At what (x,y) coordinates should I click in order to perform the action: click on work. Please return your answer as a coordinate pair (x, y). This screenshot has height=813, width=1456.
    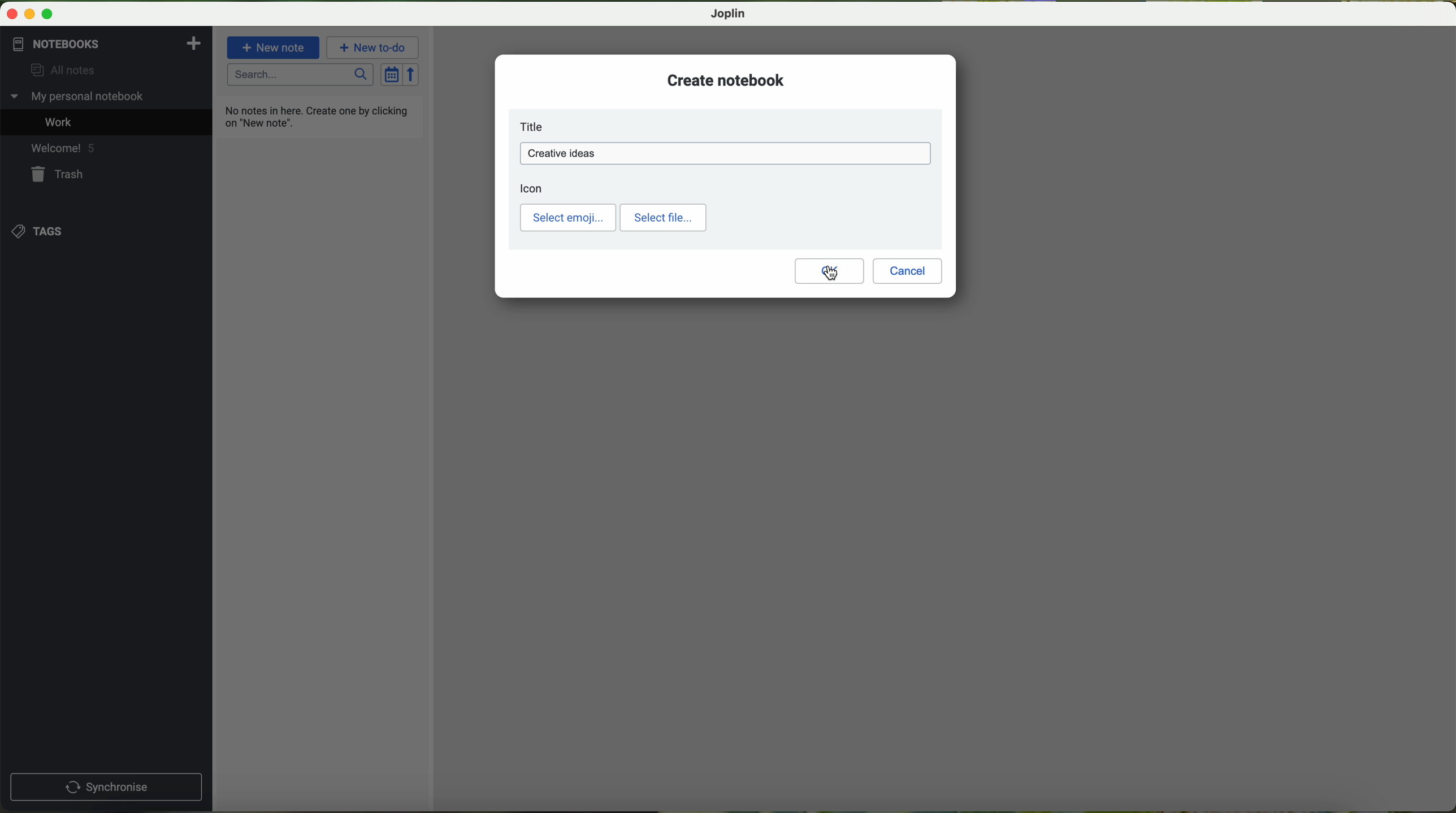
    Looking at the image, I should click on (61, 121).